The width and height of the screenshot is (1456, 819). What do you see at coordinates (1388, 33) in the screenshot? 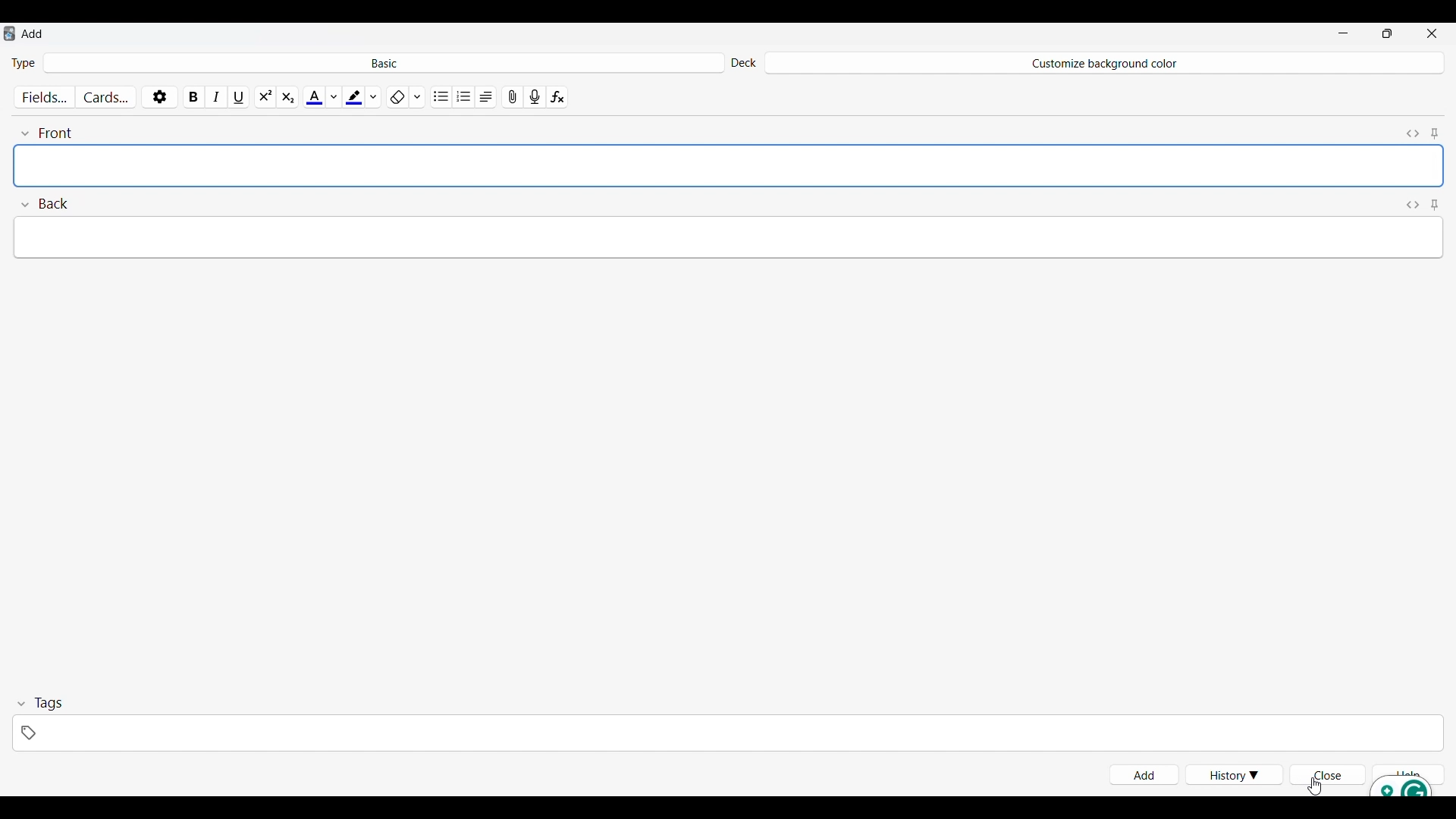
I see `Show interface in smaller tab` at bounding box center [1388, 33].